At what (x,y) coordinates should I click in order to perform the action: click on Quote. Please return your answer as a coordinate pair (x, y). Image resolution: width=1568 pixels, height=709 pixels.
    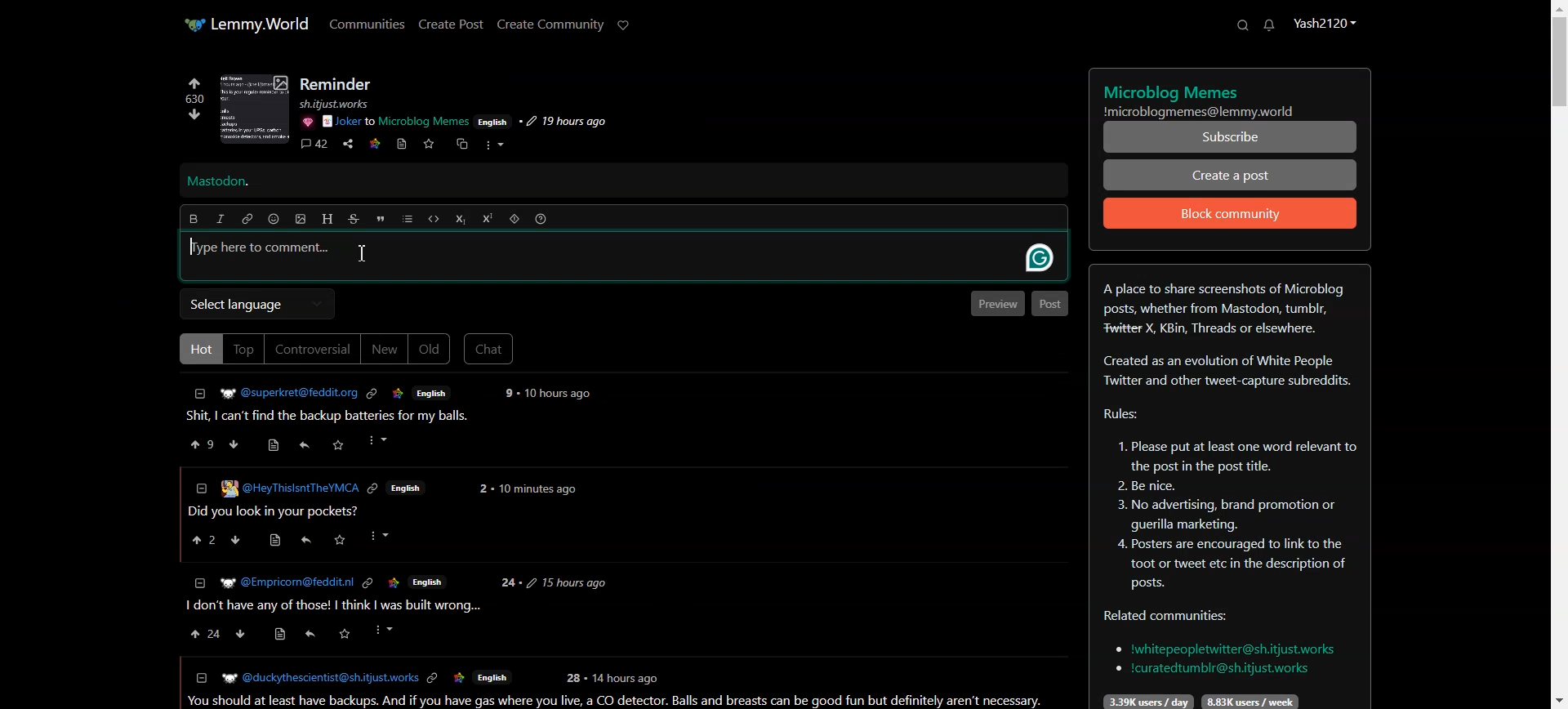
    Looking at the image, I should click on (380, 219).